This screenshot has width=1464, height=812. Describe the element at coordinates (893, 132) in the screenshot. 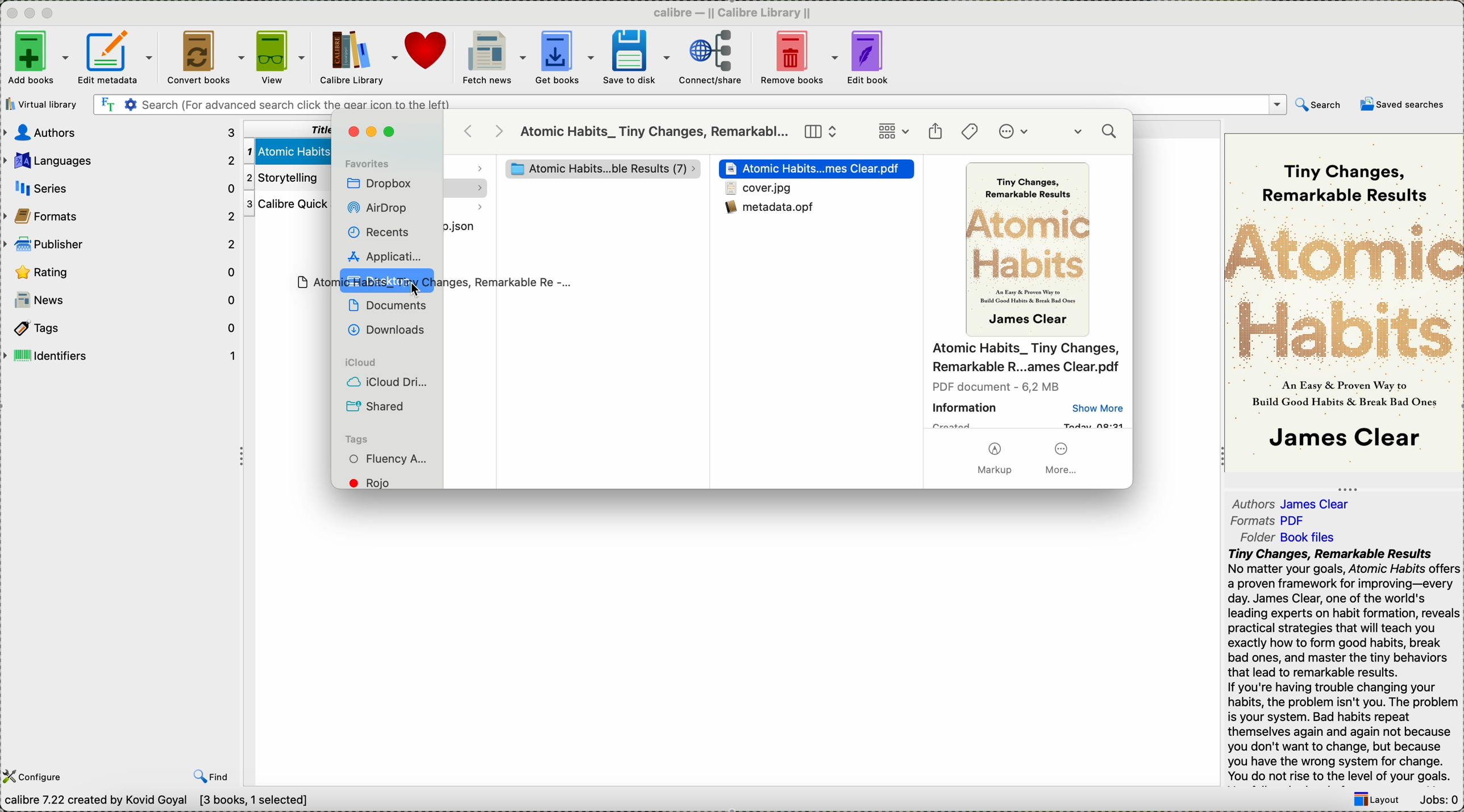

I see `grid view` at that location.